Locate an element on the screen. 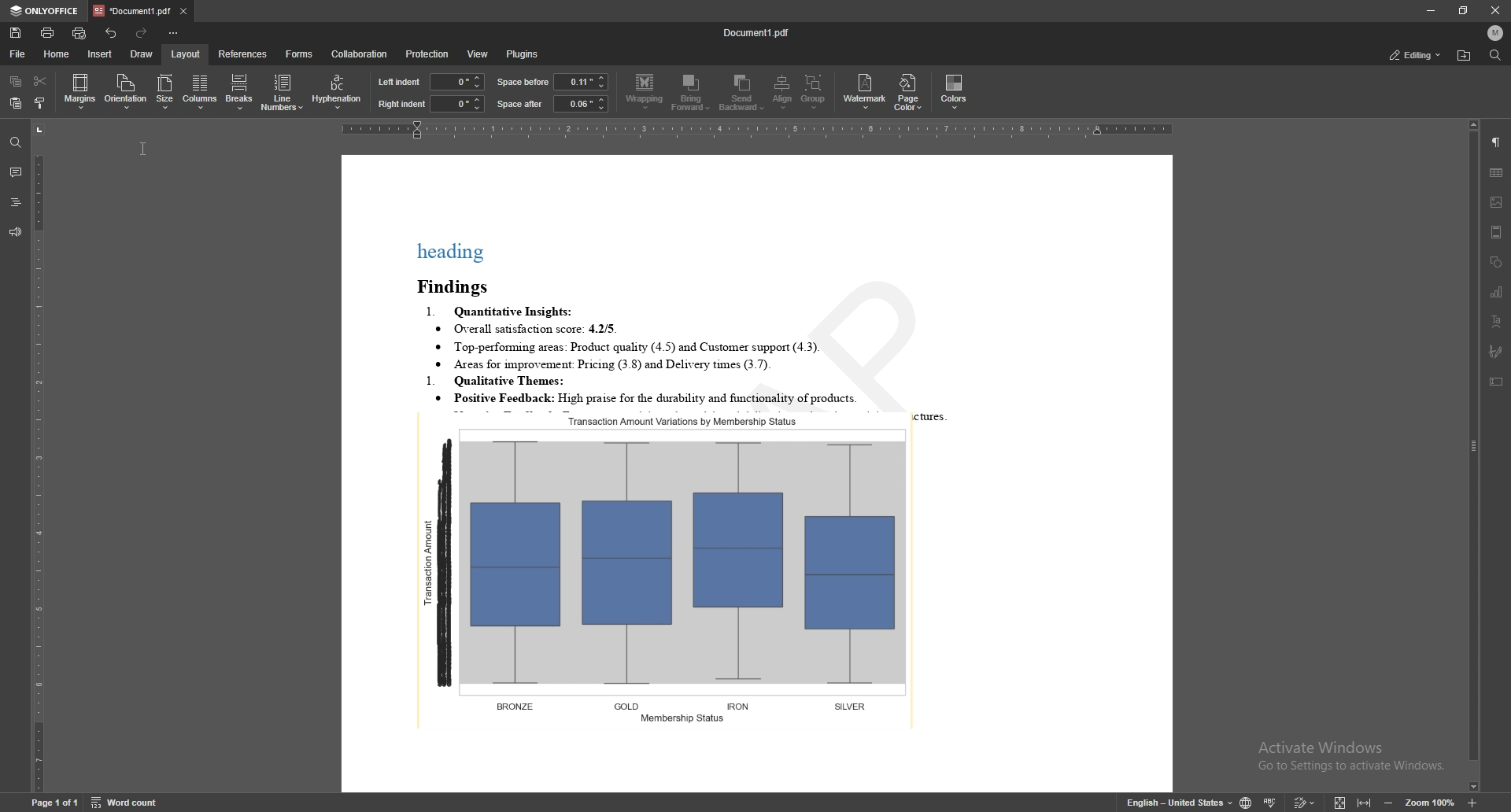 Image resolution: width=1511 pixels, height=812 pixels. hyphenation is located at coordinates (338, 90).